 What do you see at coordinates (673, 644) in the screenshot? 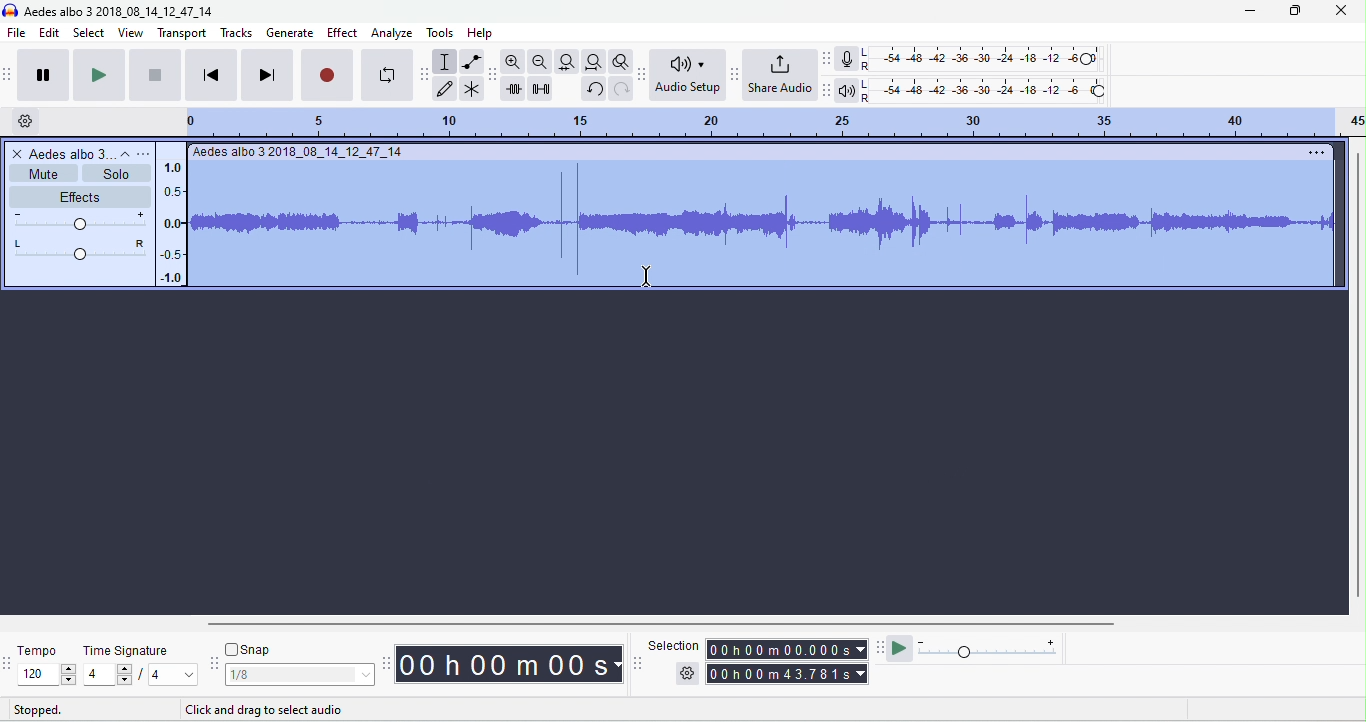
I see `selection` at bounding box center [673, 644].